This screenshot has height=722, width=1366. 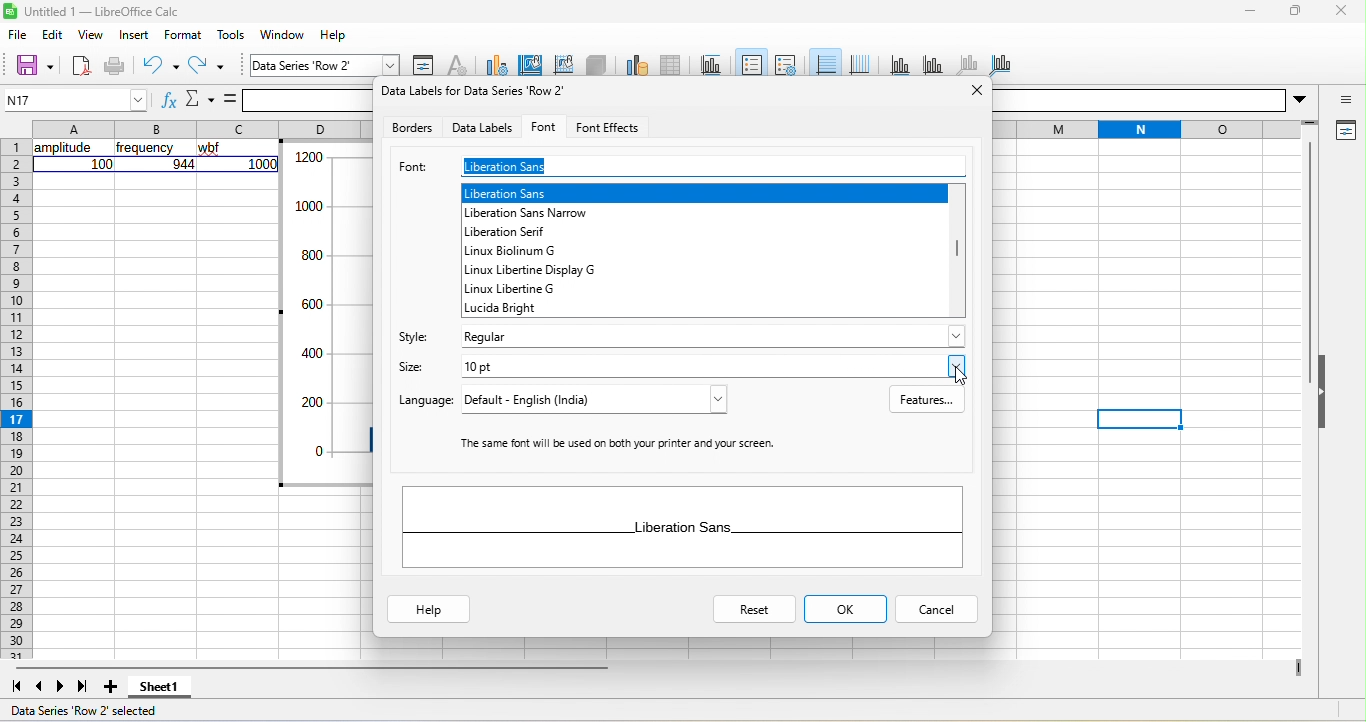 What do you see at coordinates (409, 334) in the screenshot?
I see `style` at bounding box center [409, 334].